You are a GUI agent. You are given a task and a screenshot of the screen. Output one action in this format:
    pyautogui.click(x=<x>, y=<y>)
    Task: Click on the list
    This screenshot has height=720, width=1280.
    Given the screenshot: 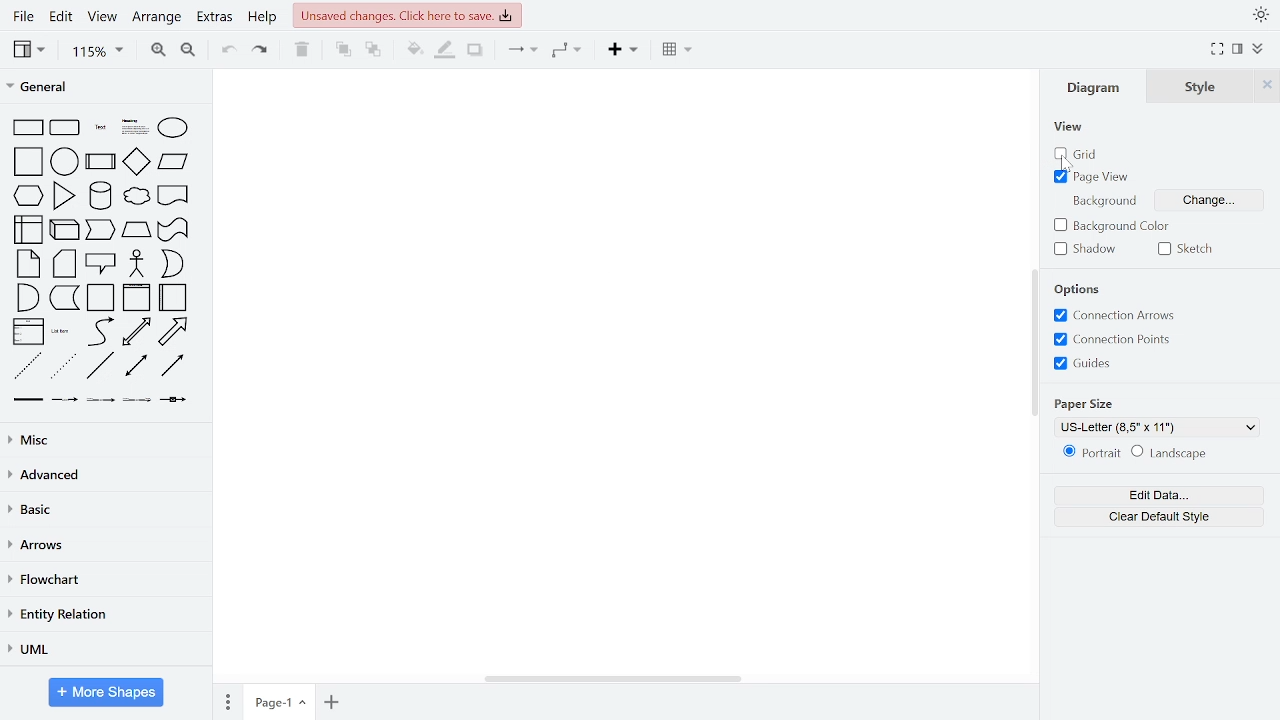 What is the action you would take?
    pyautogui.click(x=30, y=332)
    